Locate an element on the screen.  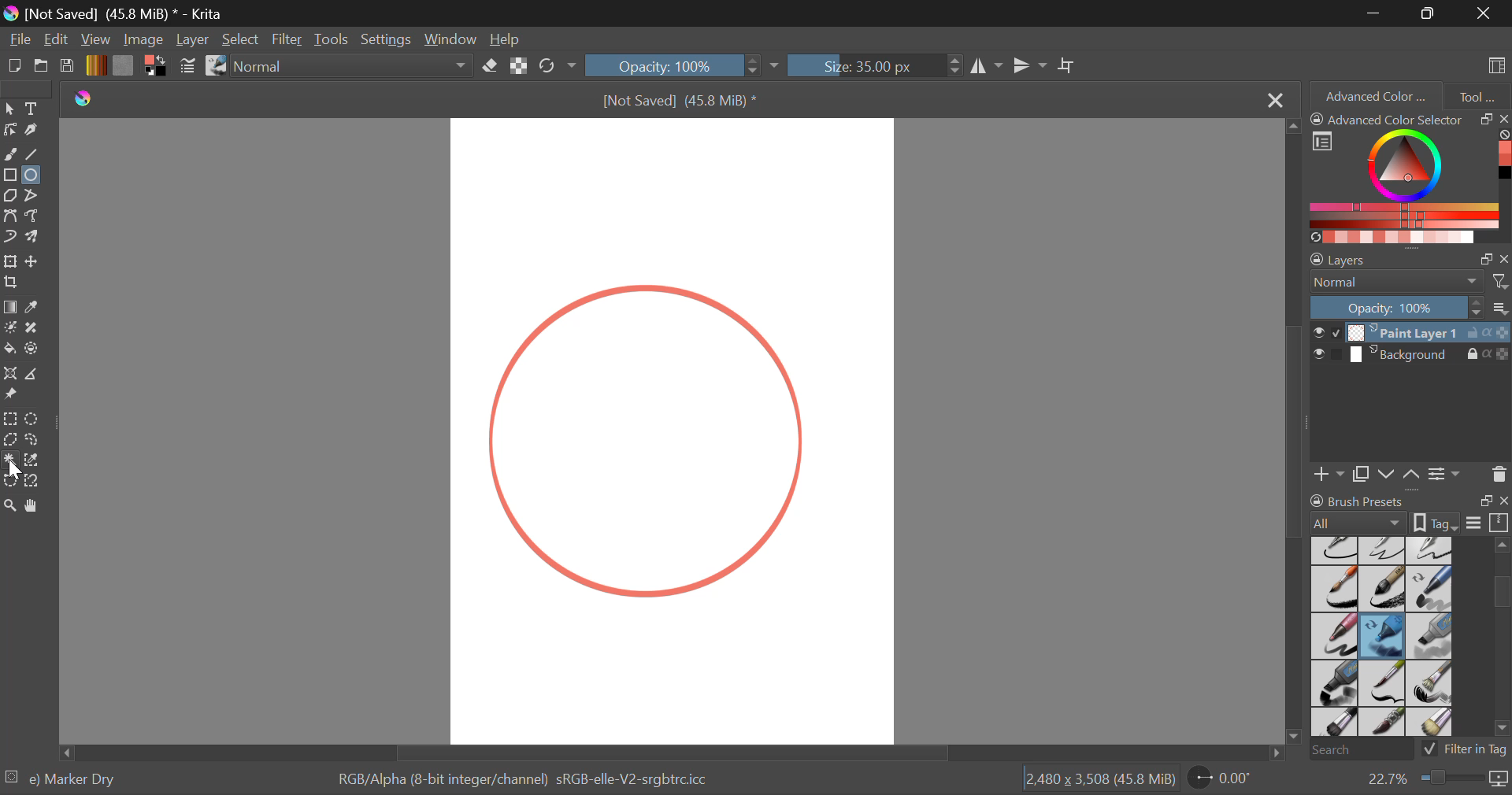
Settings is located at coordinates (390, 39).